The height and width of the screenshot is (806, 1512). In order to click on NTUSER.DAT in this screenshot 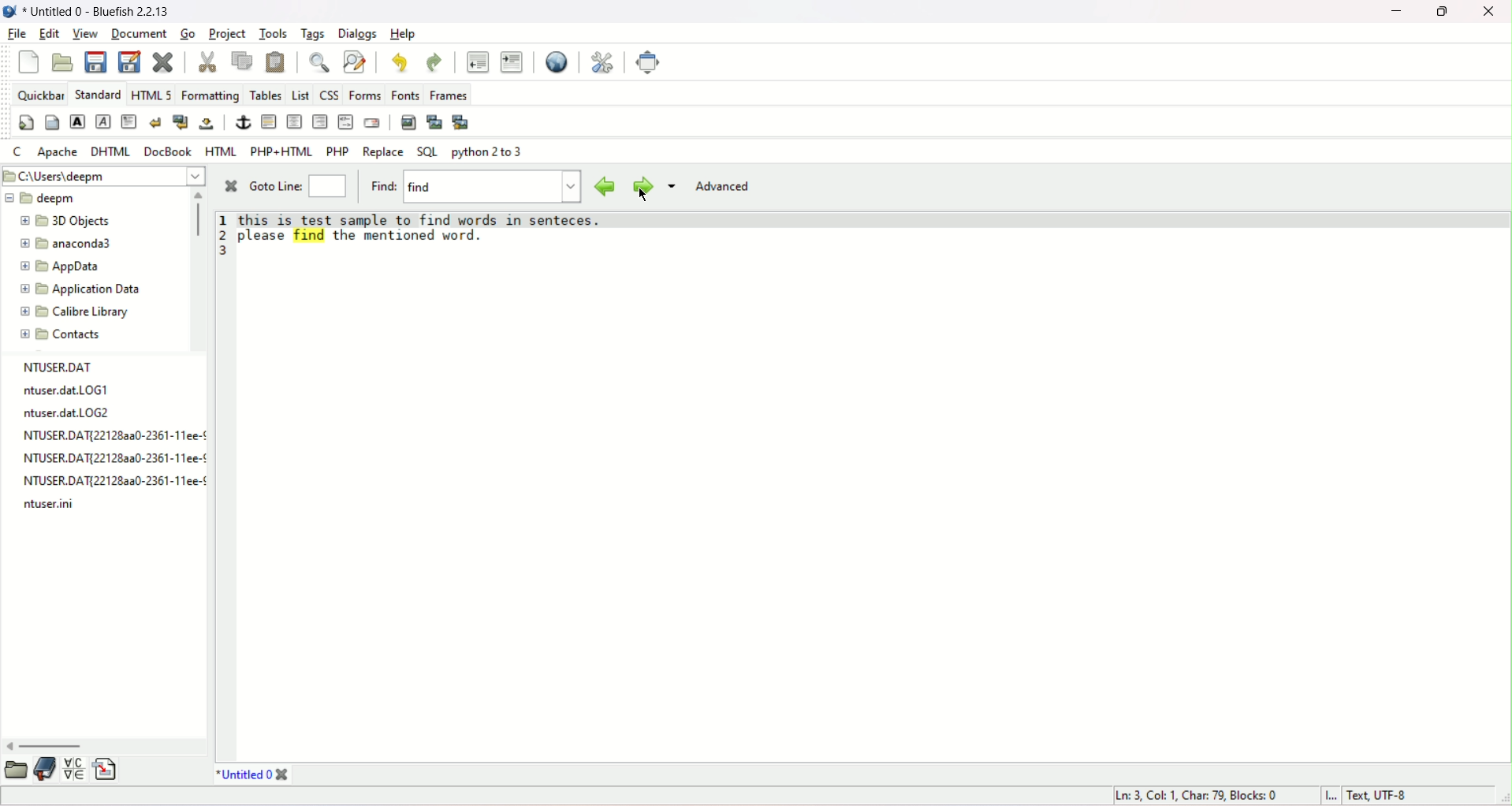, I will do `click(61, 368)`.